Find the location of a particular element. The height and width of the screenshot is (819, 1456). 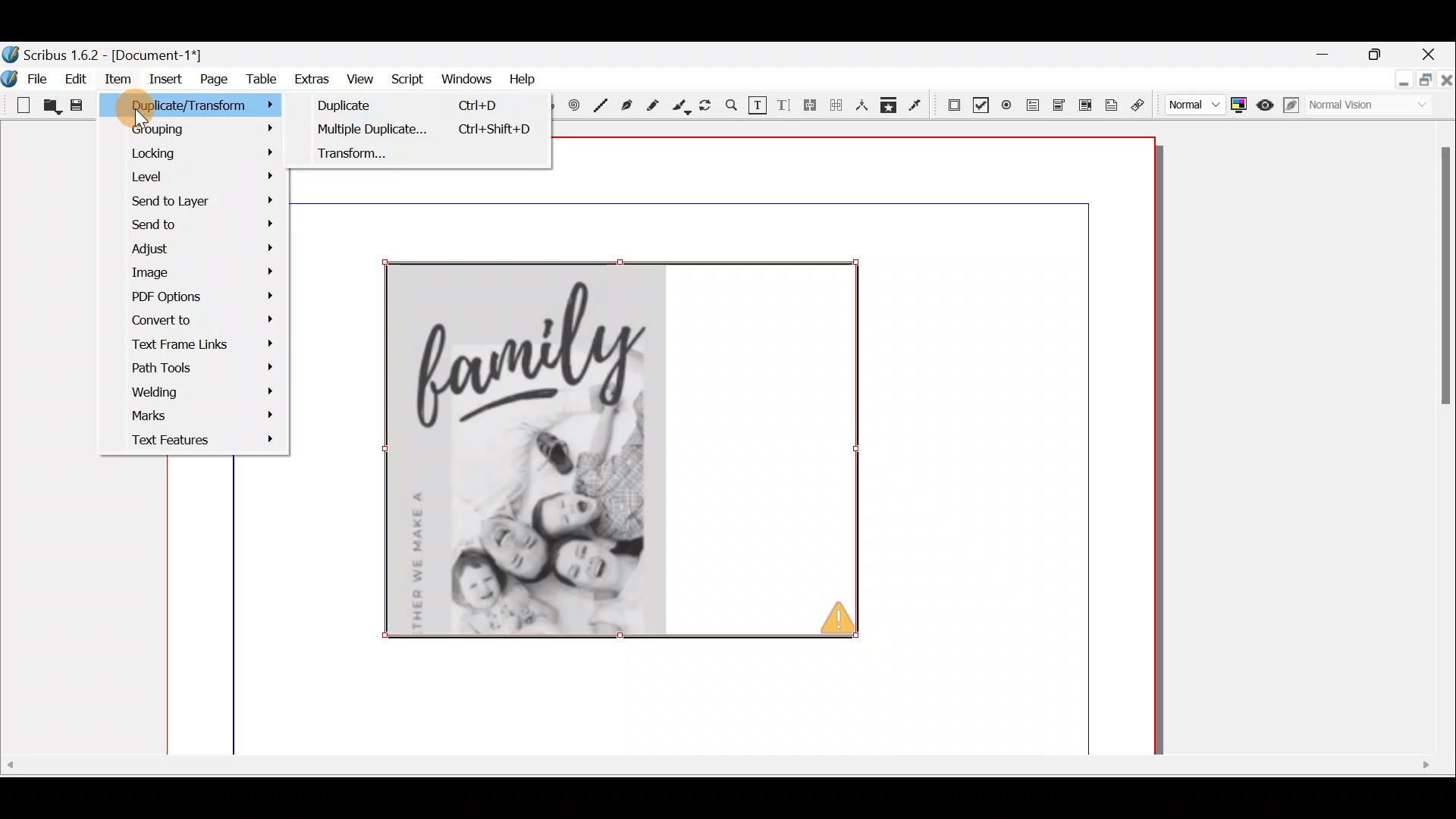

Script is located at coordinates (406, 79).